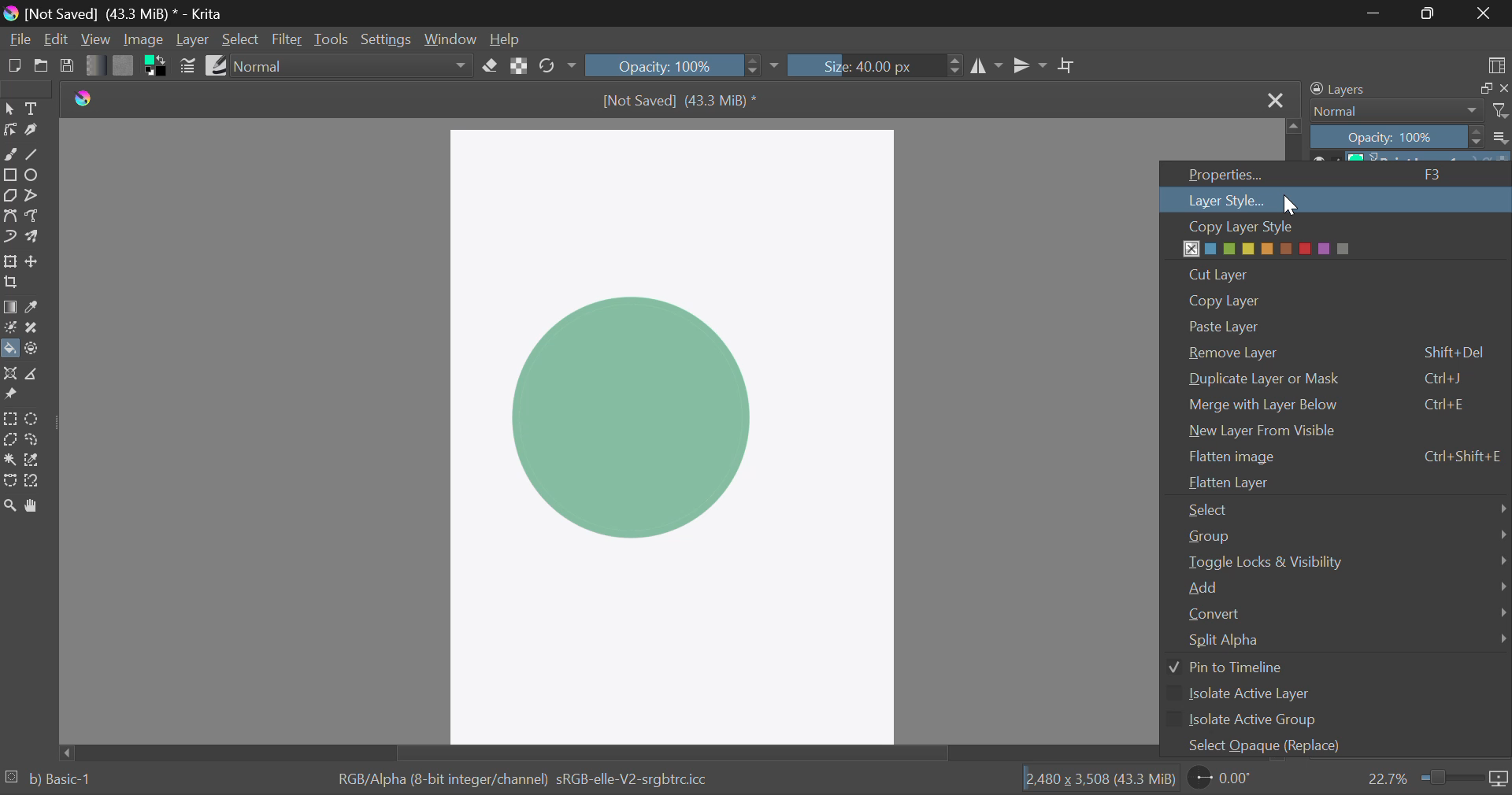  What do you see at coordinates (35, 238) in the screenshot?
I see `Multibrush Tool` at bounding box center [35, 238].